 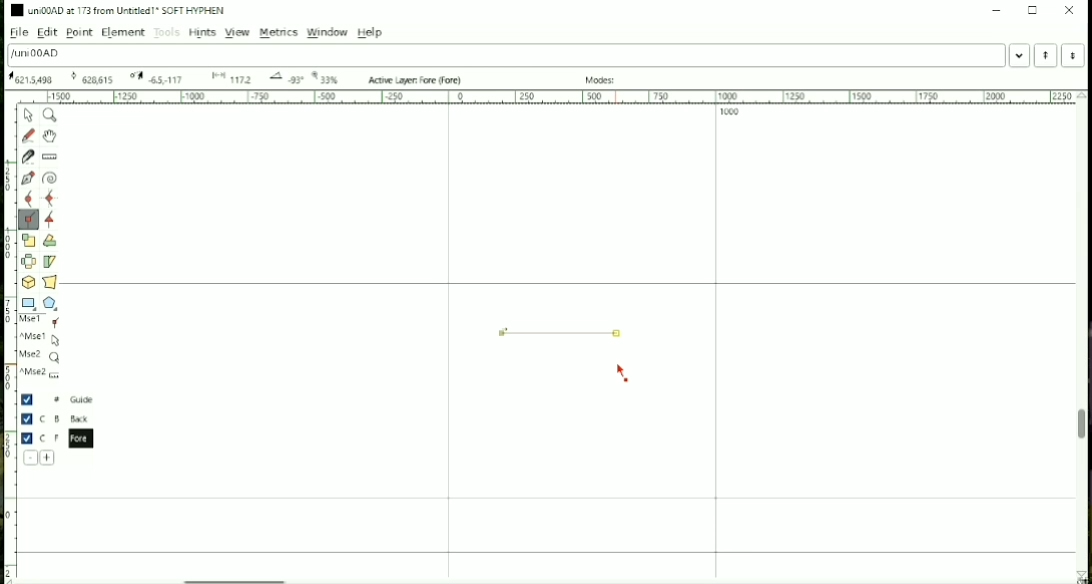 What do you see at coordinates (1080, 423) in the screenshot?
I see `Vertical scrollbar` at bounding box center [1080, 423].